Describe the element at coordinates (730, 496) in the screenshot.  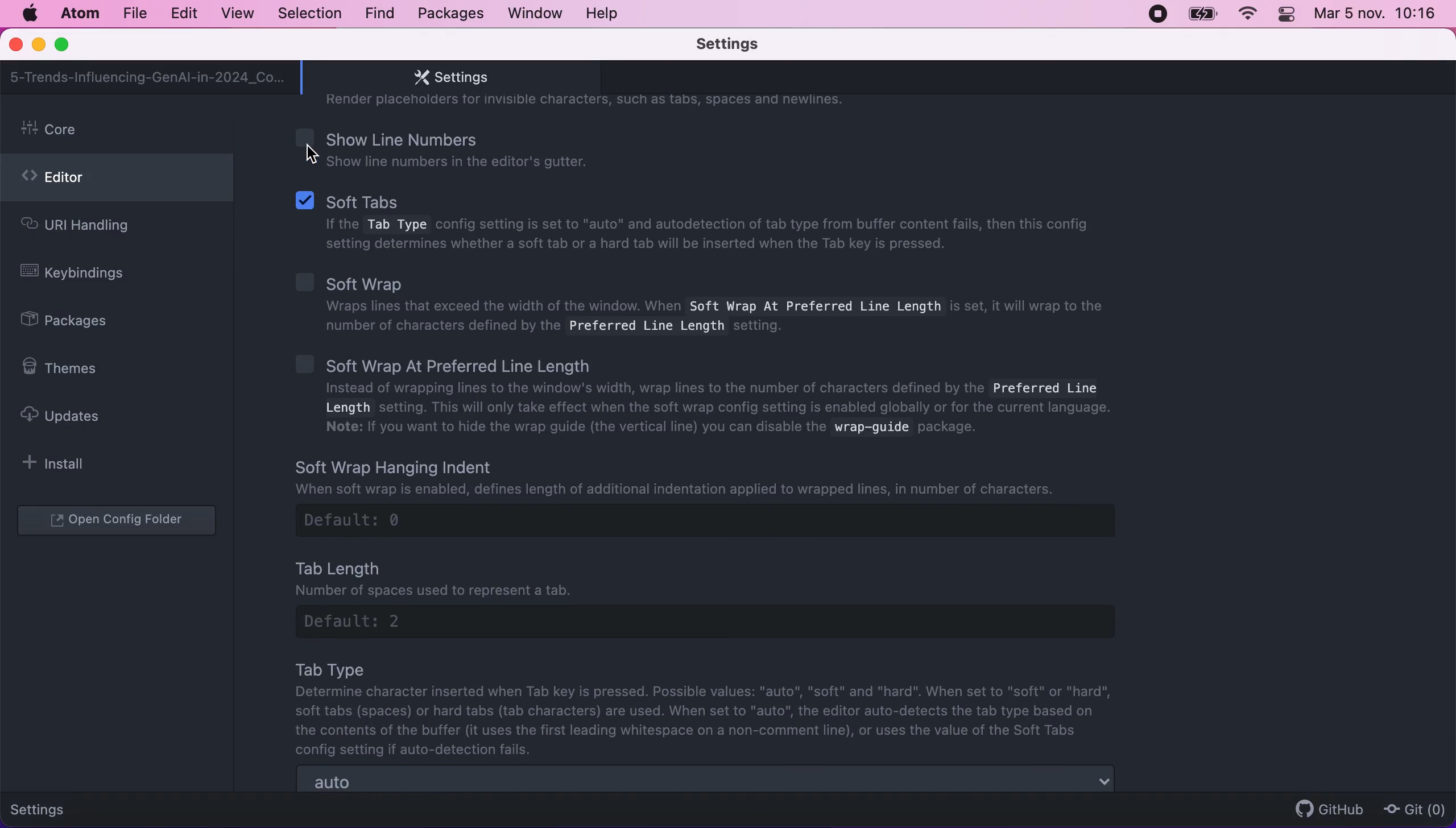
I see `soft wrap hanging indent` at that location.